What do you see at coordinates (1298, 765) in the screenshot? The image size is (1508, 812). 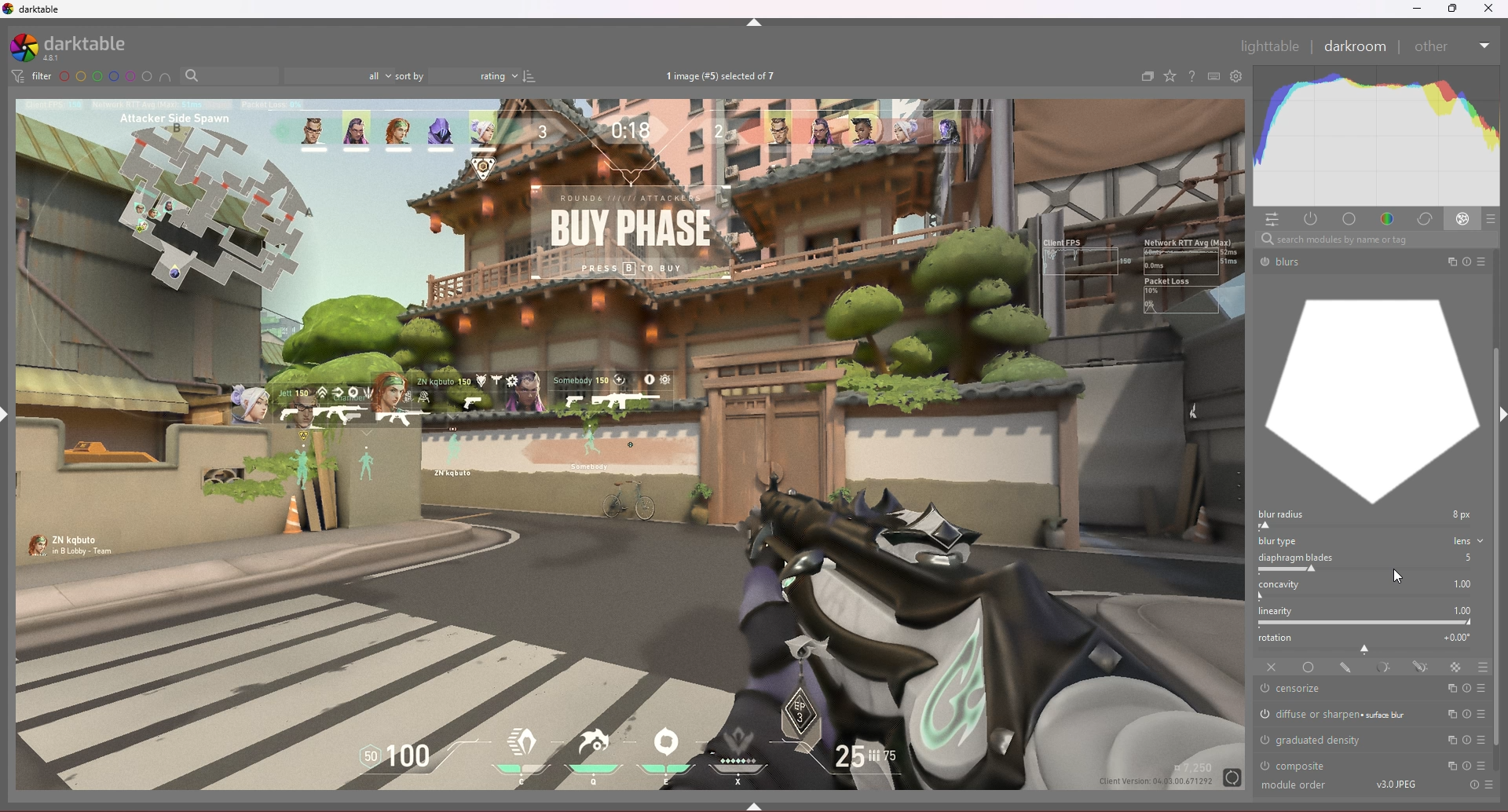 I see `composite` at bounding box center [1298, 765].